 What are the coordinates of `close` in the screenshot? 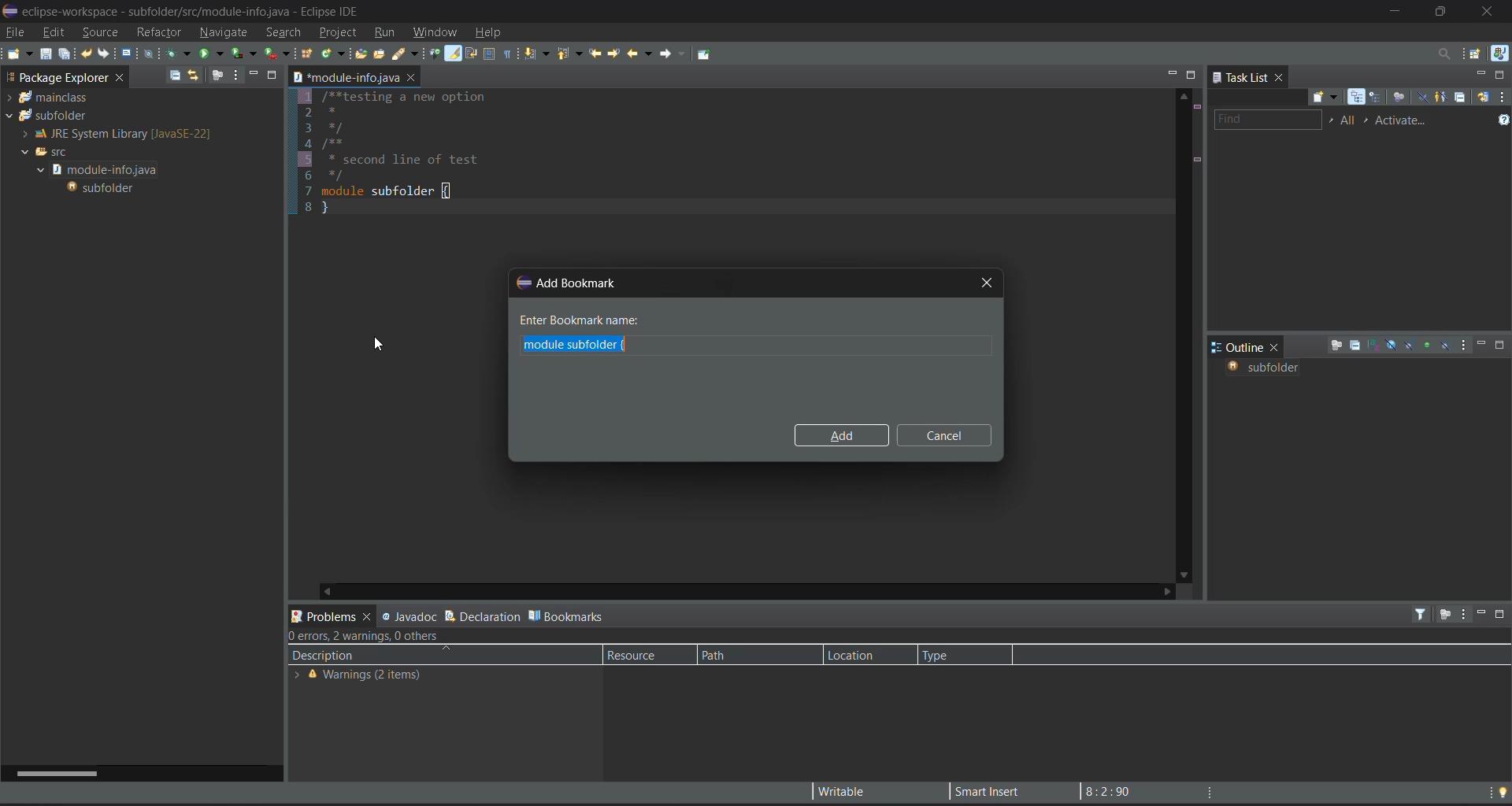 It's located at (985, 280).